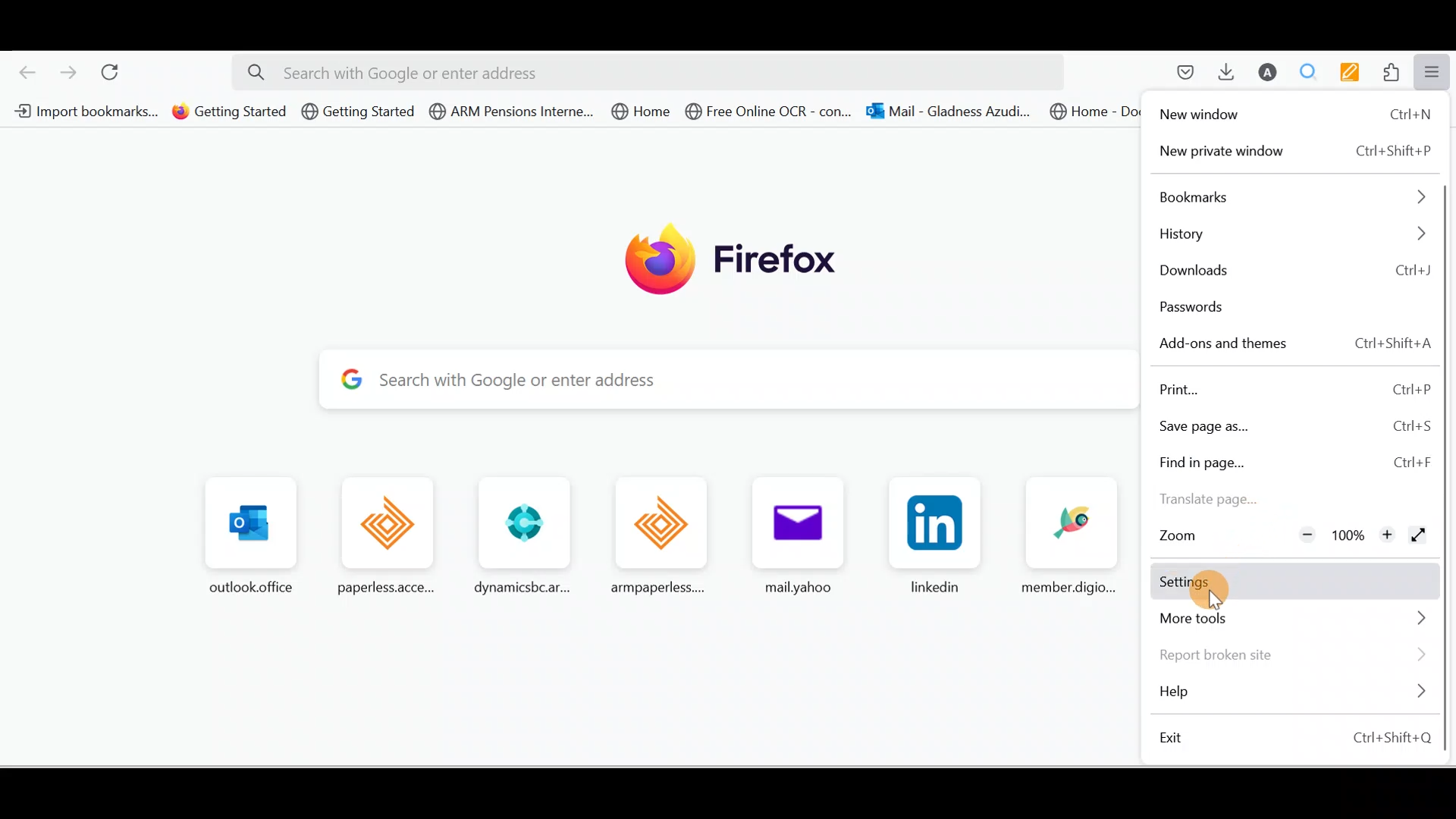 This screenshot has width=1456, height=819. Describe the element at coordinates (1285, 234) in the screenshot. I see `History` at that location.